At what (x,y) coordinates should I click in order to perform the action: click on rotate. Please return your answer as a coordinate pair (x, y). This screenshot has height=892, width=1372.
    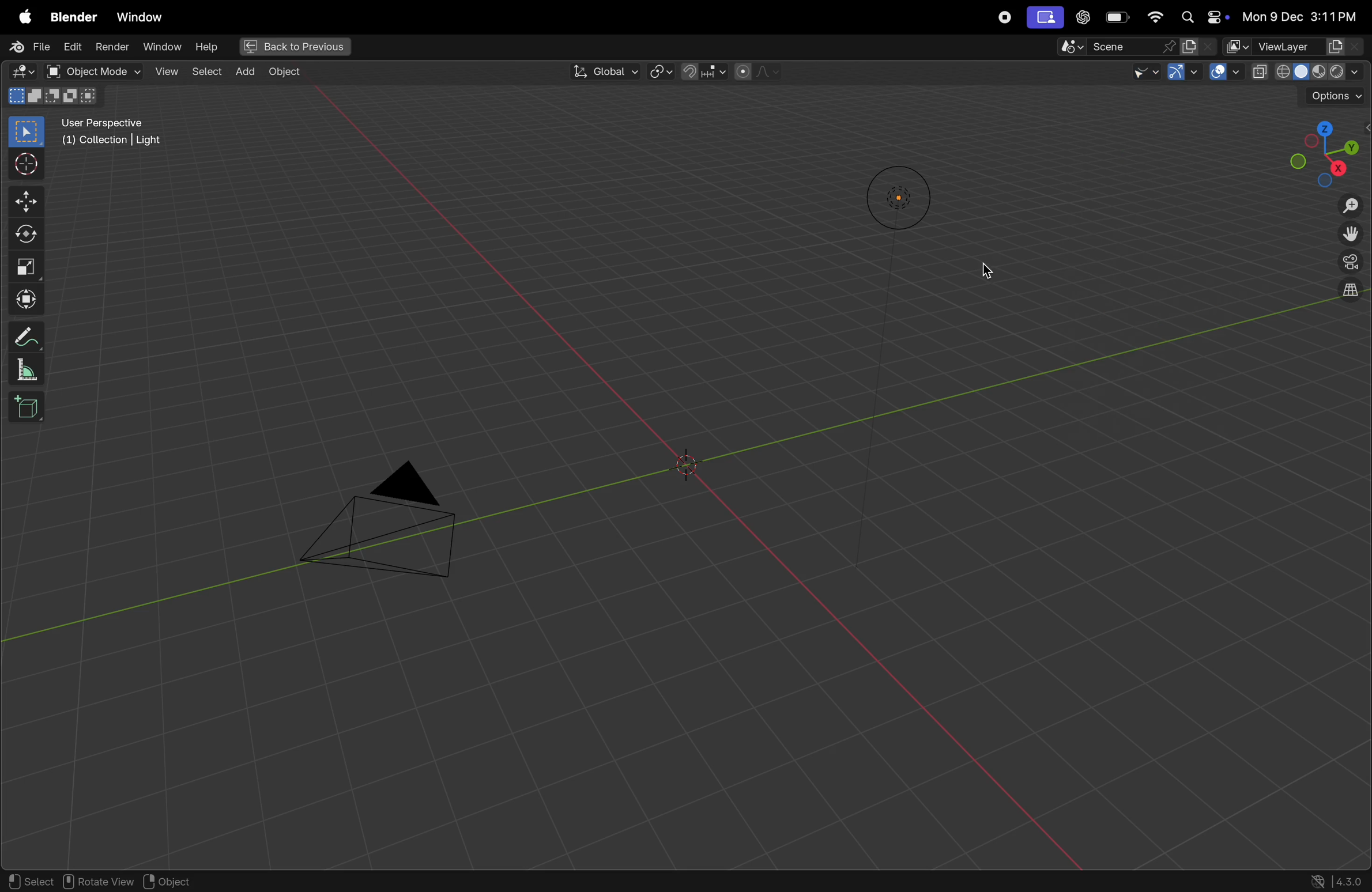
    Looking at the image, I should click on (25, 233).